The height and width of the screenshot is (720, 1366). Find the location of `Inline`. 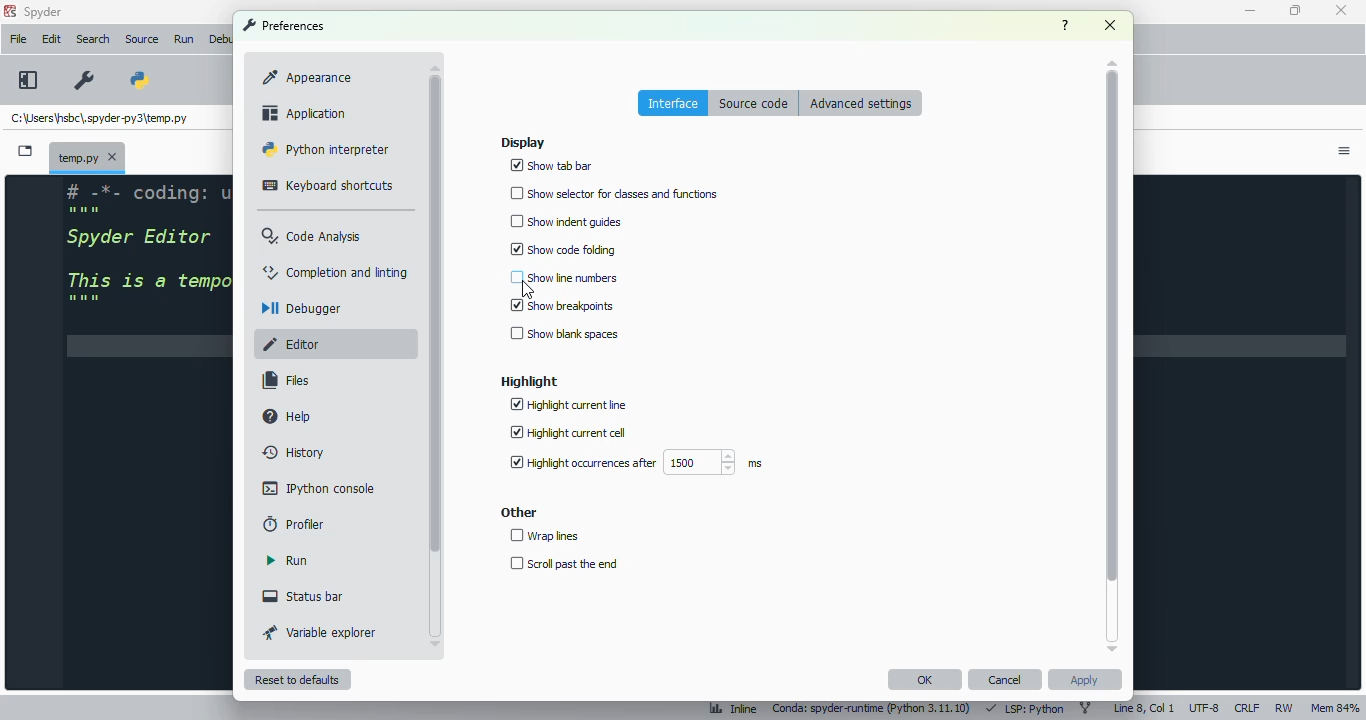

Inline is located at coordinates (728, 706).